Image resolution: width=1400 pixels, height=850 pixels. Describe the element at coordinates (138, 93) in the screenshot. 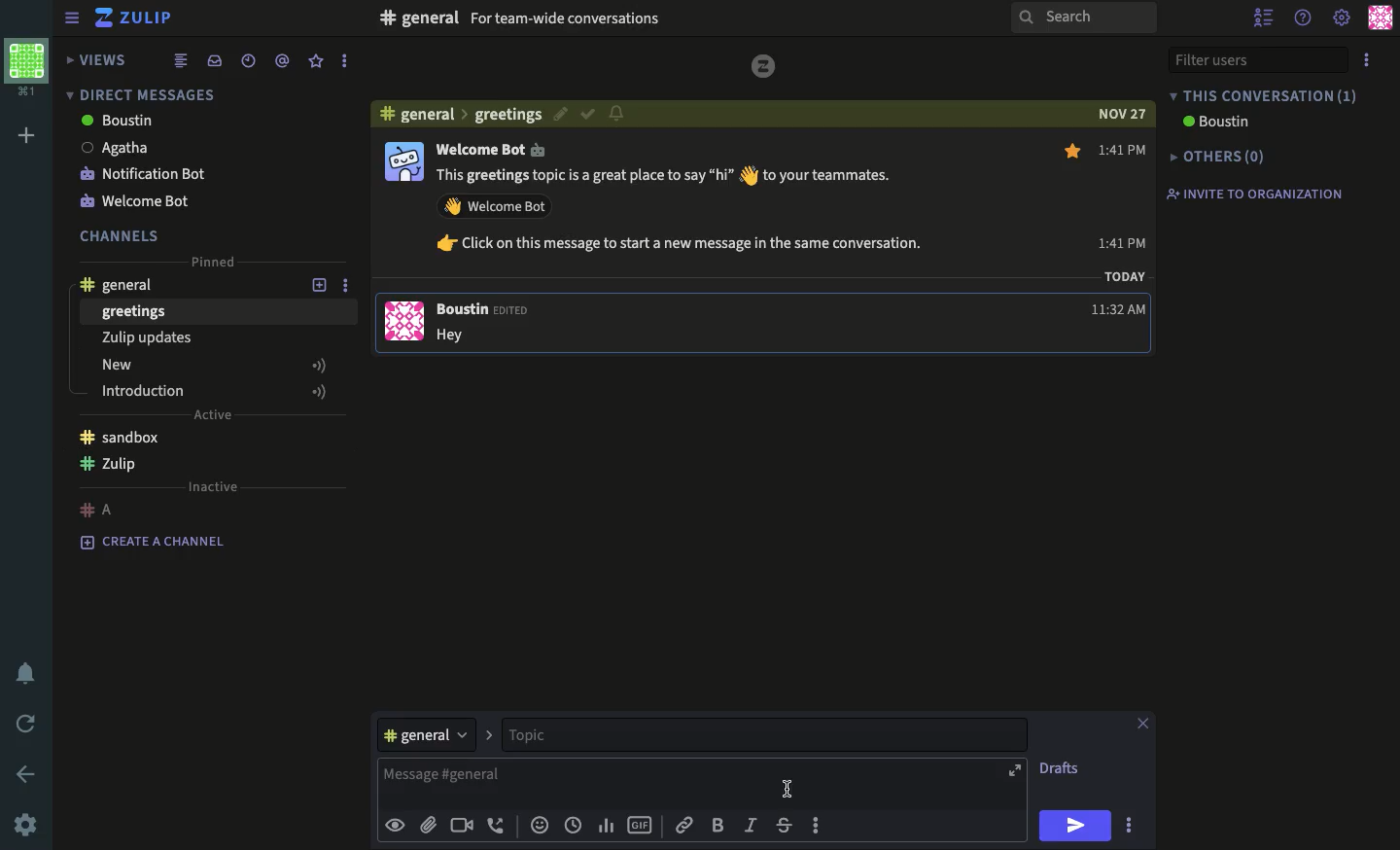

I see `direct message` at that location.